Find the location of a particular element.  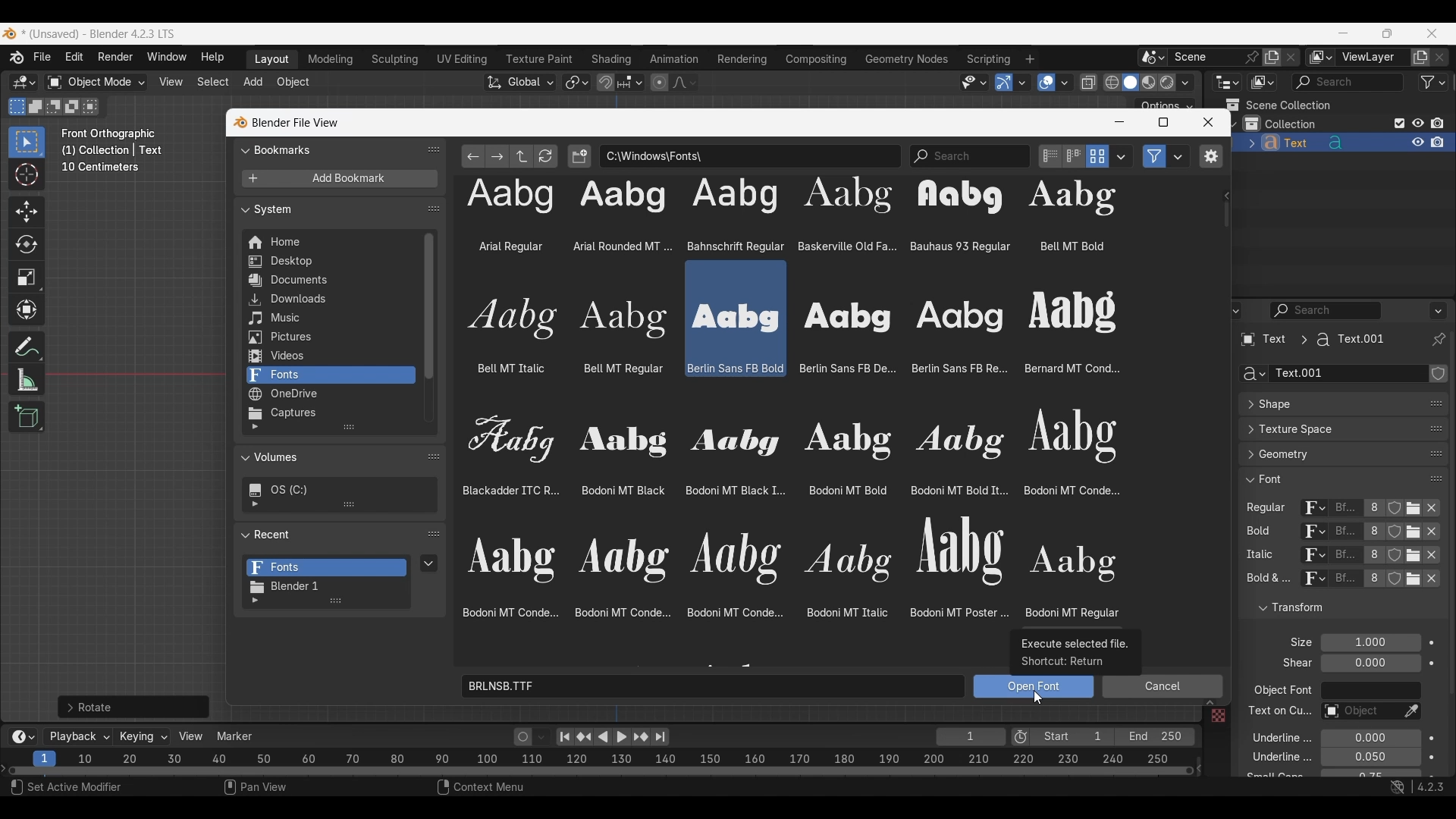

Jump to endpoint is located at coordinates (565, 737).